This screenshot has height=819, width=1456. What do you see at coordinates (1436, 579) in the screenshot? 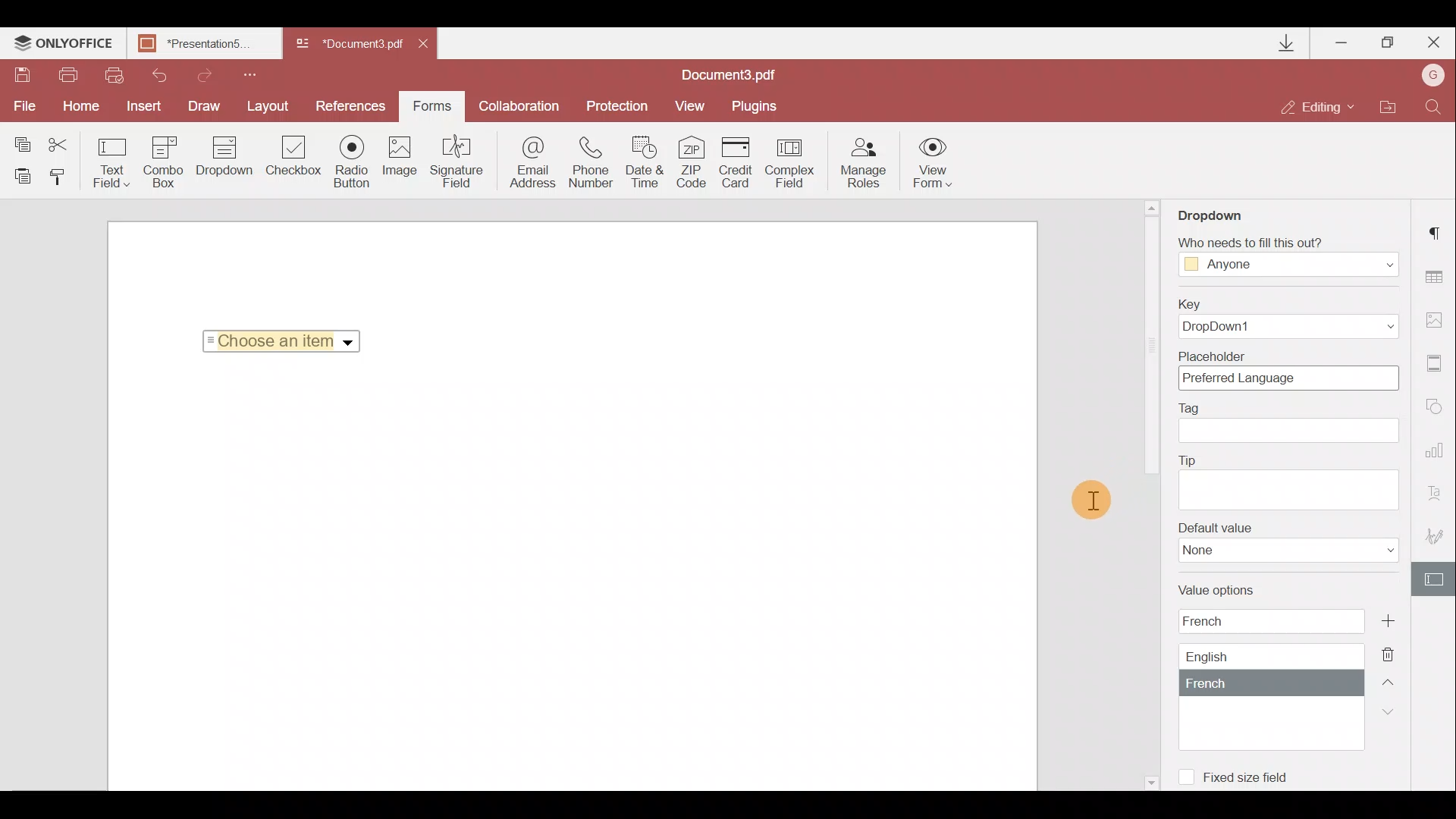
I see `Form settings` at bounding box center [1436, 579].